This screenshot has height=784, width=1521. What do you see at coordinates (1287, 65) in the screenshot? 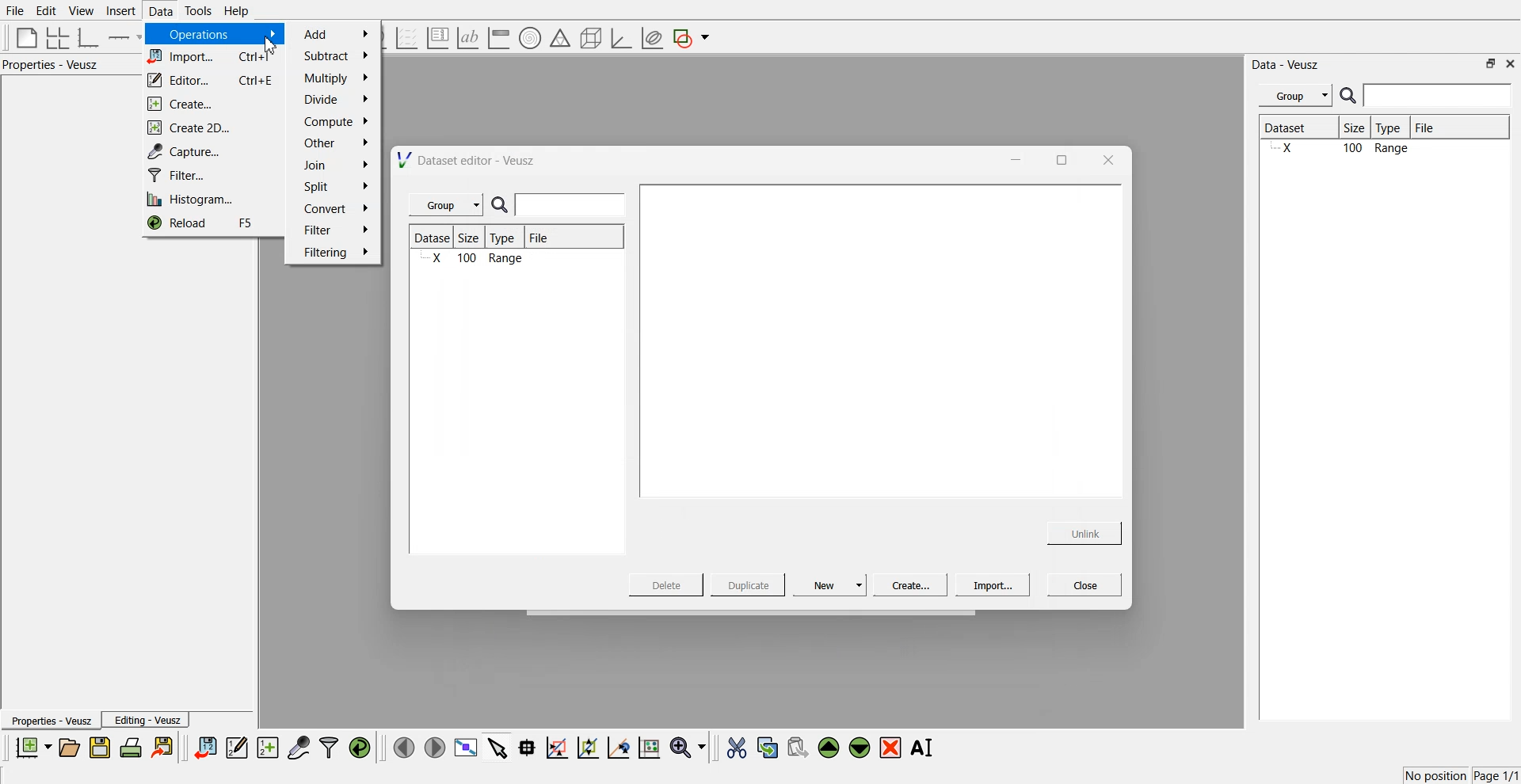
I see `Data - Veusz` at bounding box center [1287, 65].